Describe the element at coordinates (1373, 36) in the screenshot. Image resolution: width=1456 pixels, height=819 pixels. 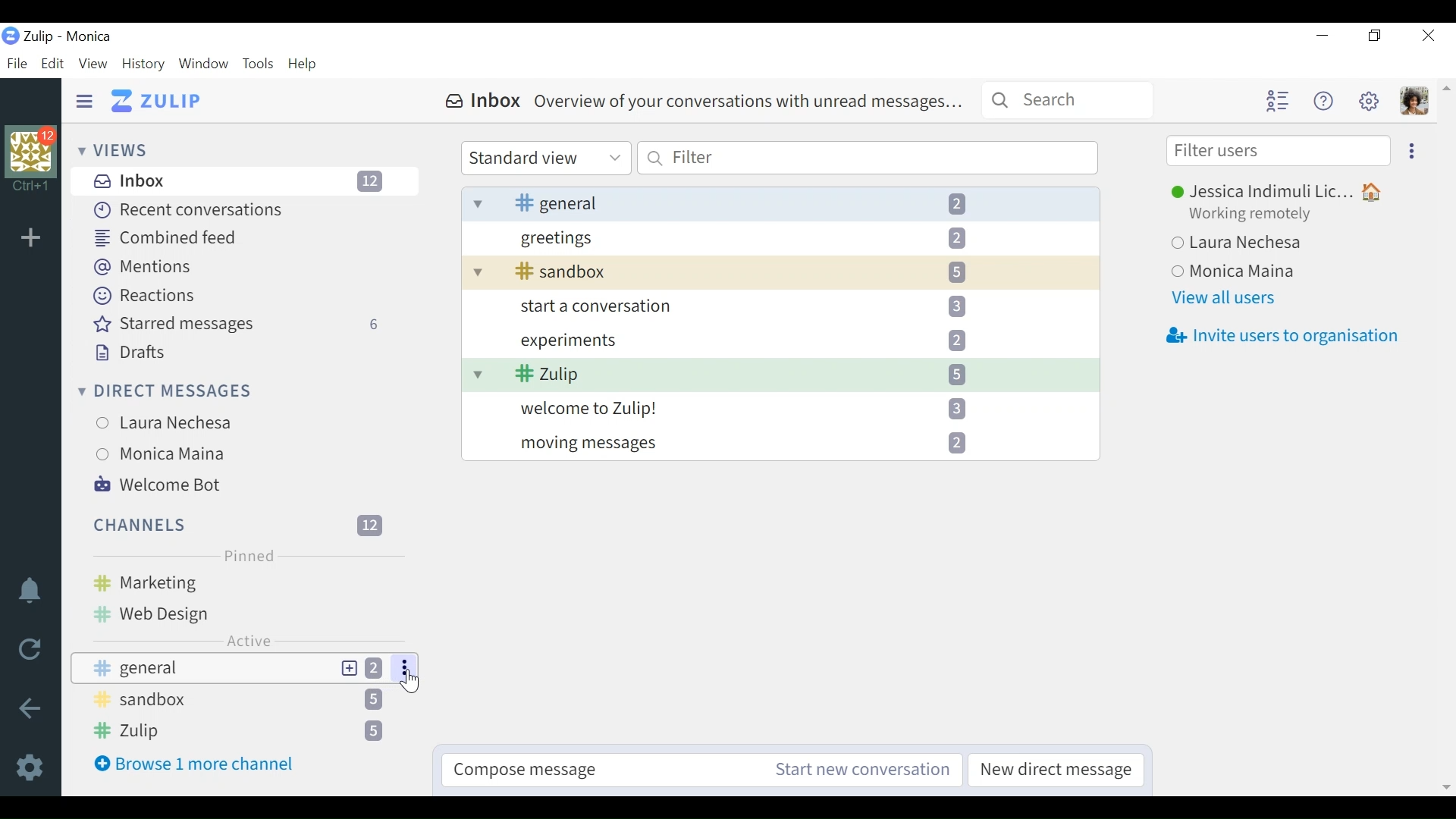
I see `Restore` at that location.